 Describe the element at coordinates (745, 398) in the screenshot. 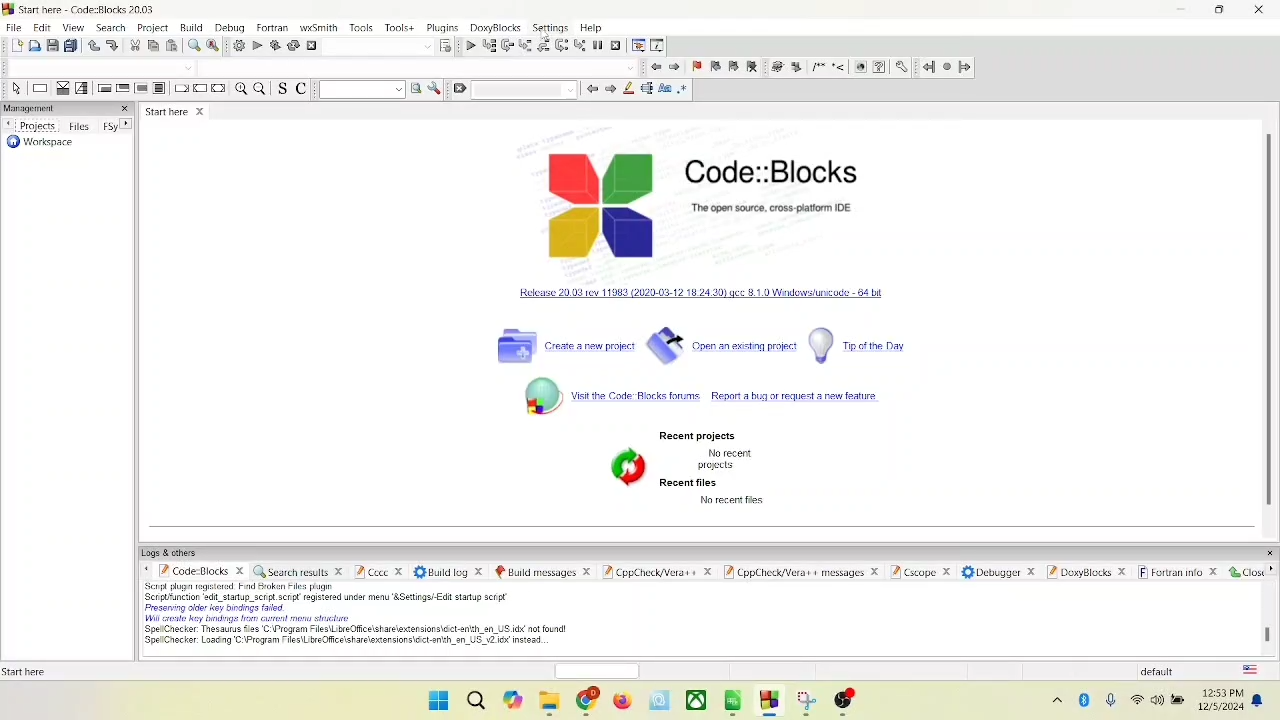

I see `report a bug` at that location.